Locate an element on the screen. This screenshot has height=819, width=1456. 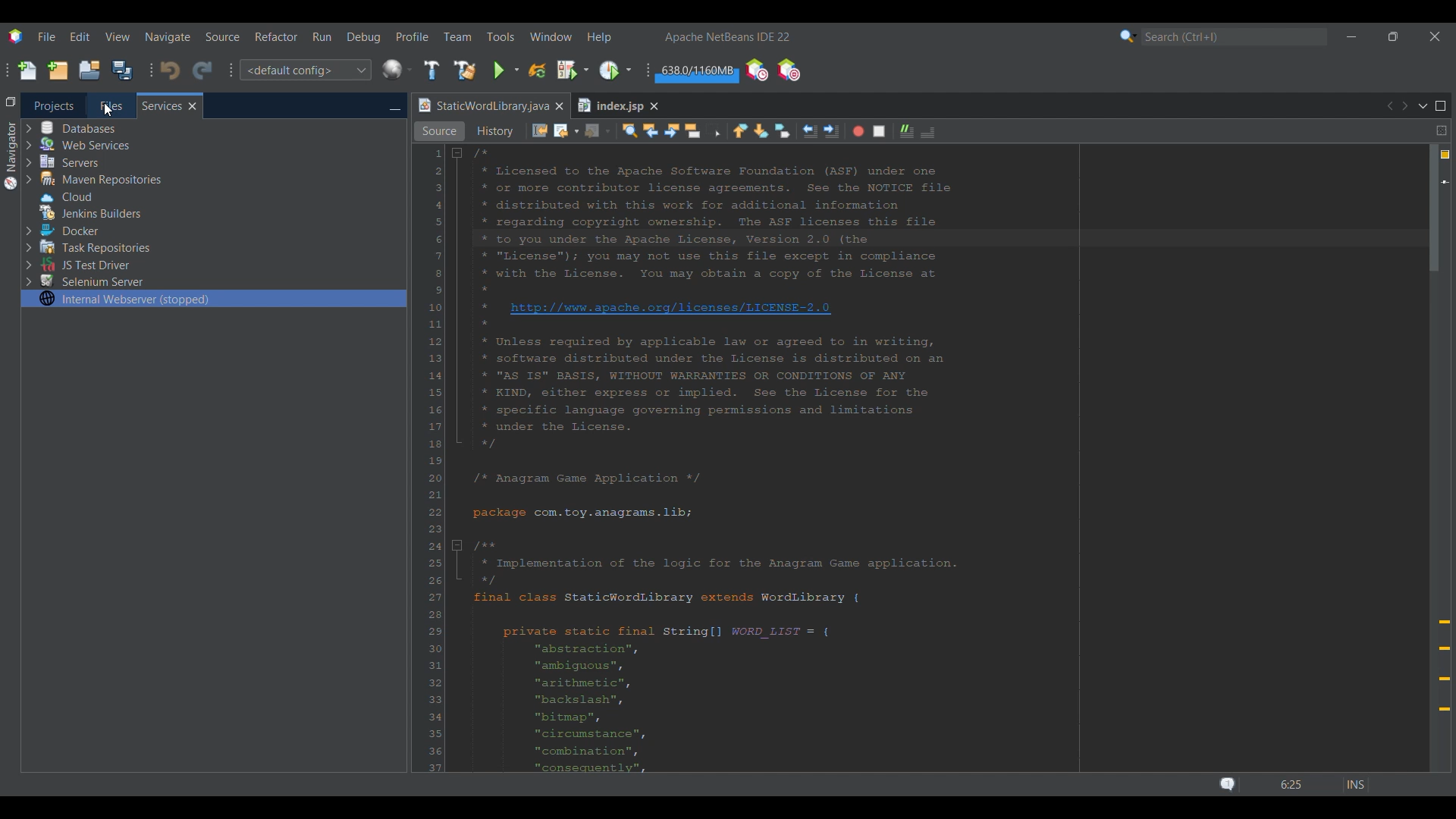
Current selection highlighted is located at coordinates (214, 298).